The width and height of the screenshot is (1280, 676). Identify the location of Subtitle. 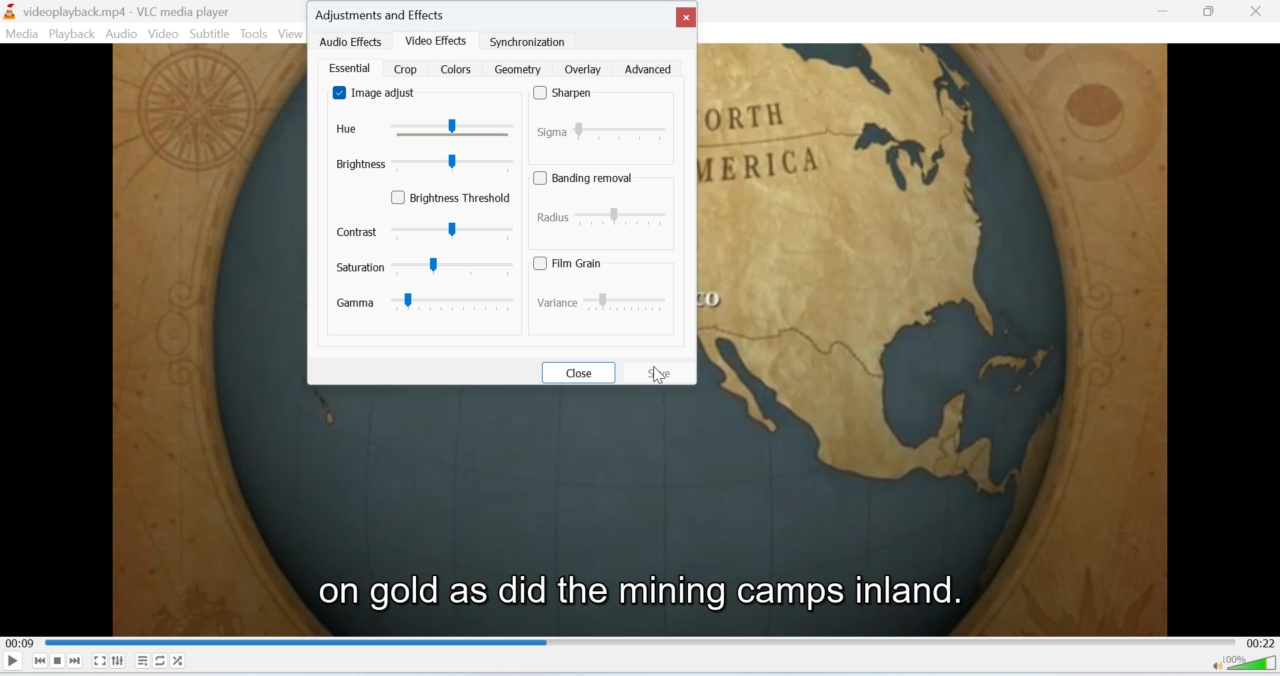
(209, 35).